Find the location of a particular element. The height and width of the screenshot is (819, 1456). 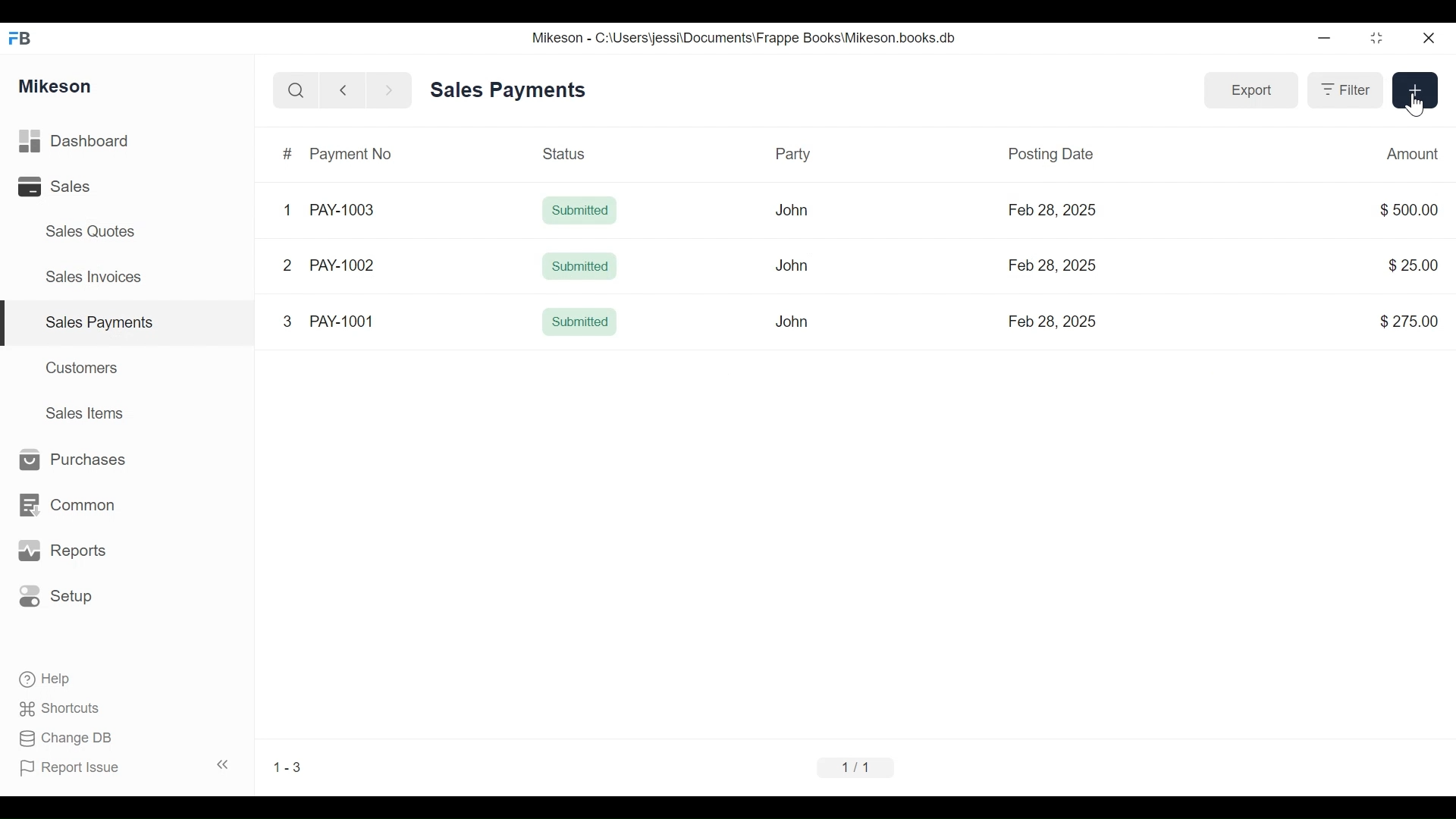

Setup is located at coordinates (61, 597).